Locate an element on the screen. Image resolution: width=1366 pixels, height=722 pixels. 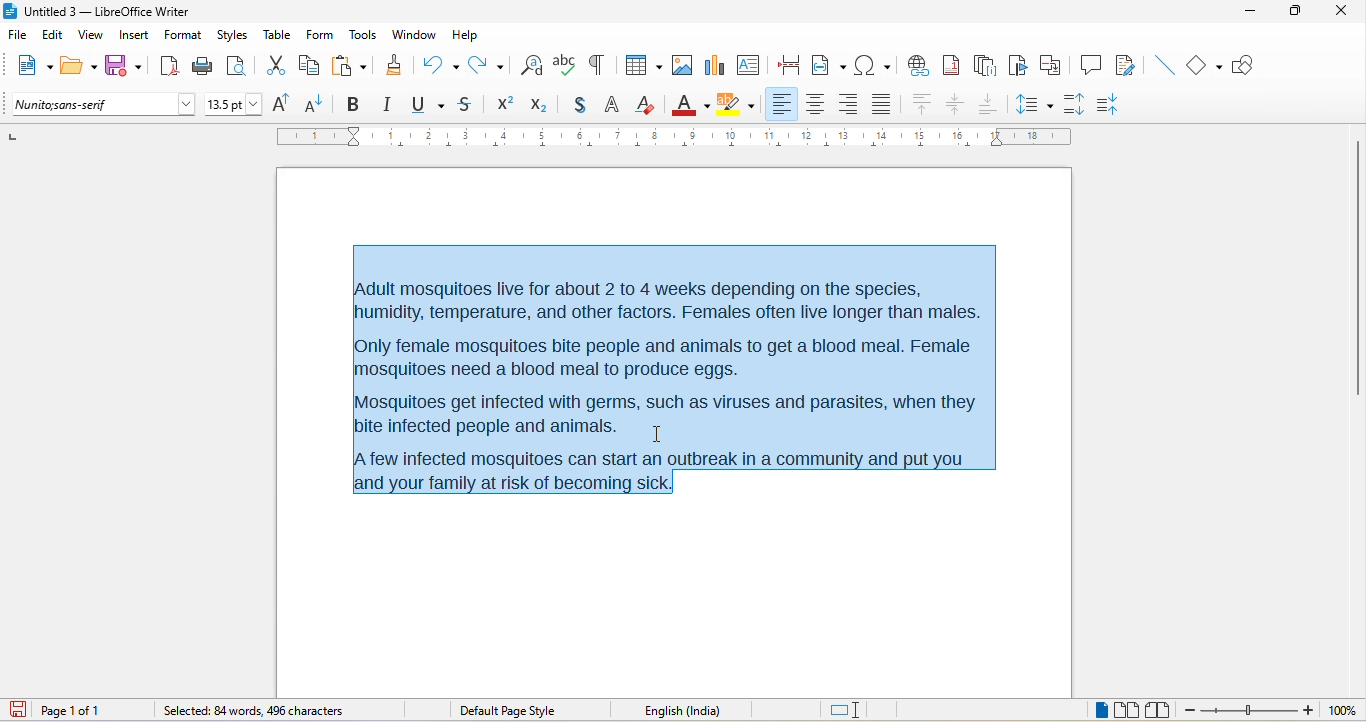
set line spacing is located at coordinates (1033, 102).